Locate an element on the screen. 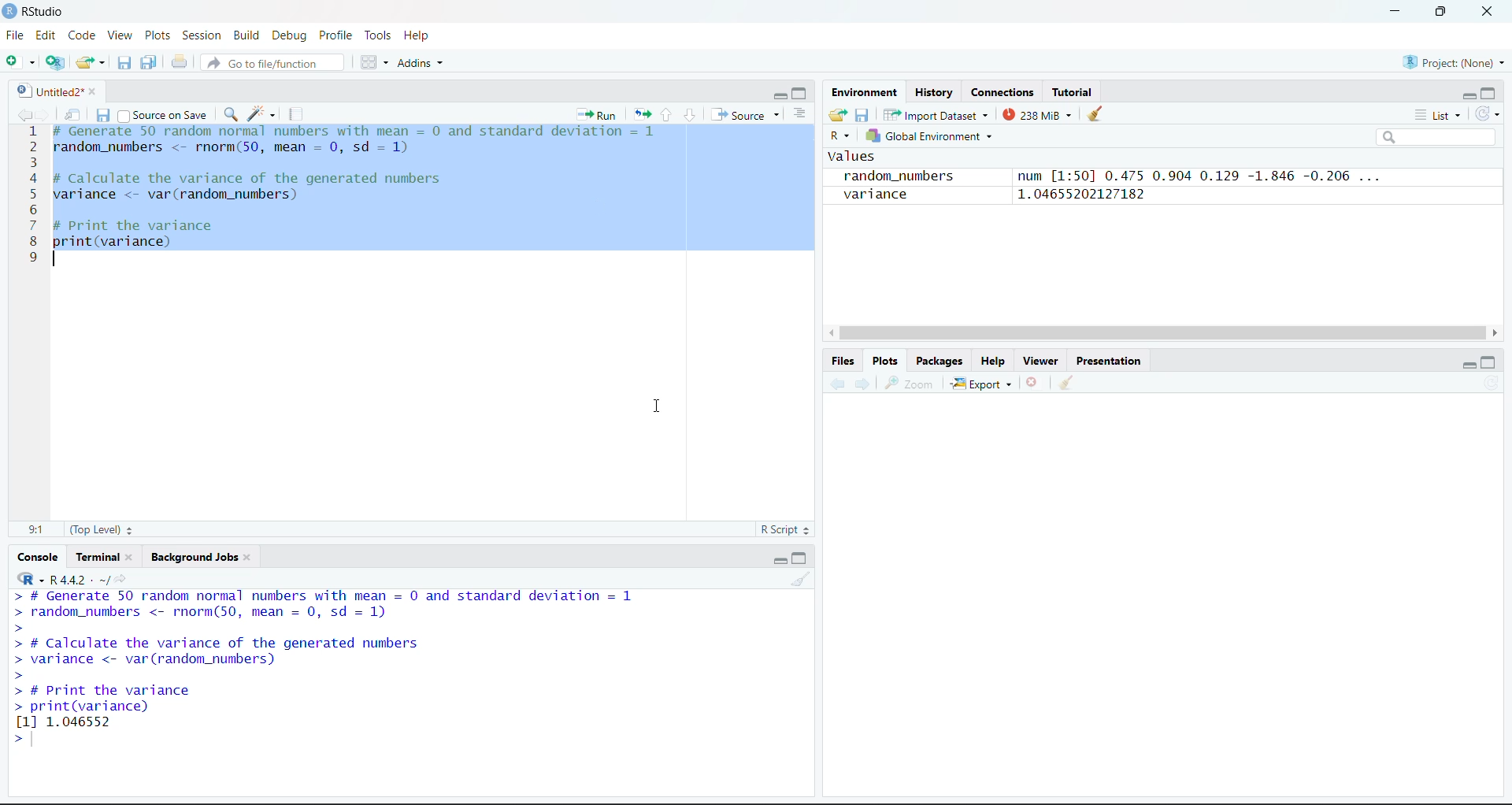  clear is located at coordinates (800, 579).